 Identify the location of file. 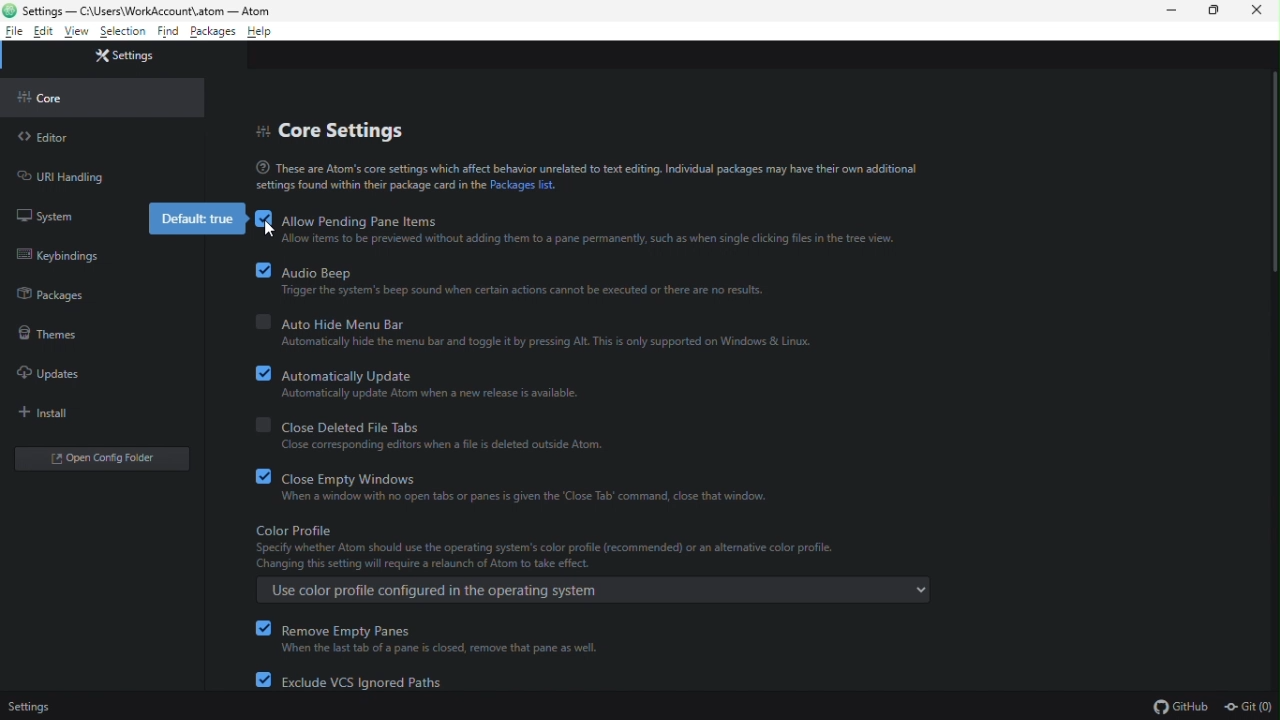
(14, 31).